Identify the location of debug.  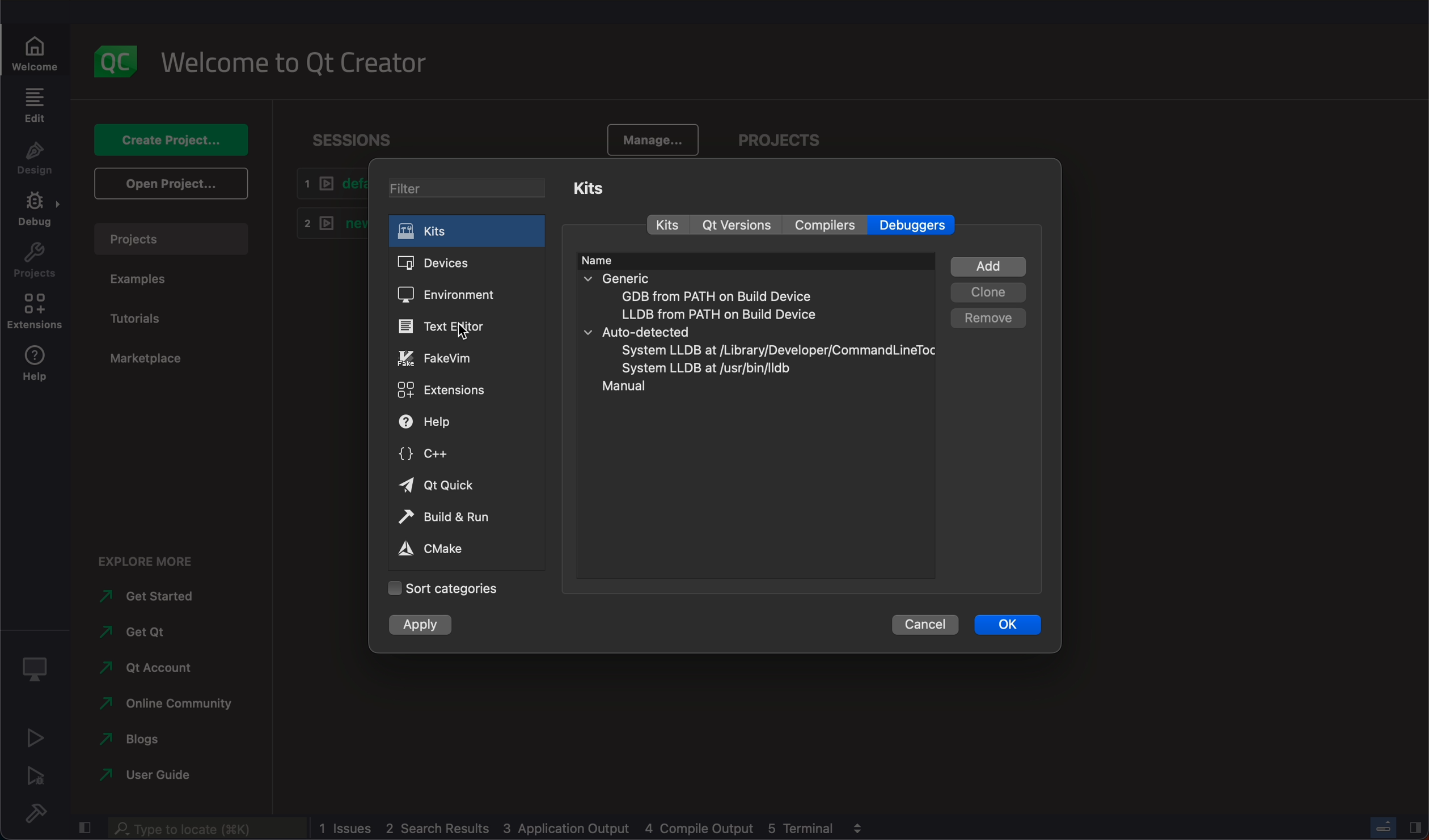
(37, 670).